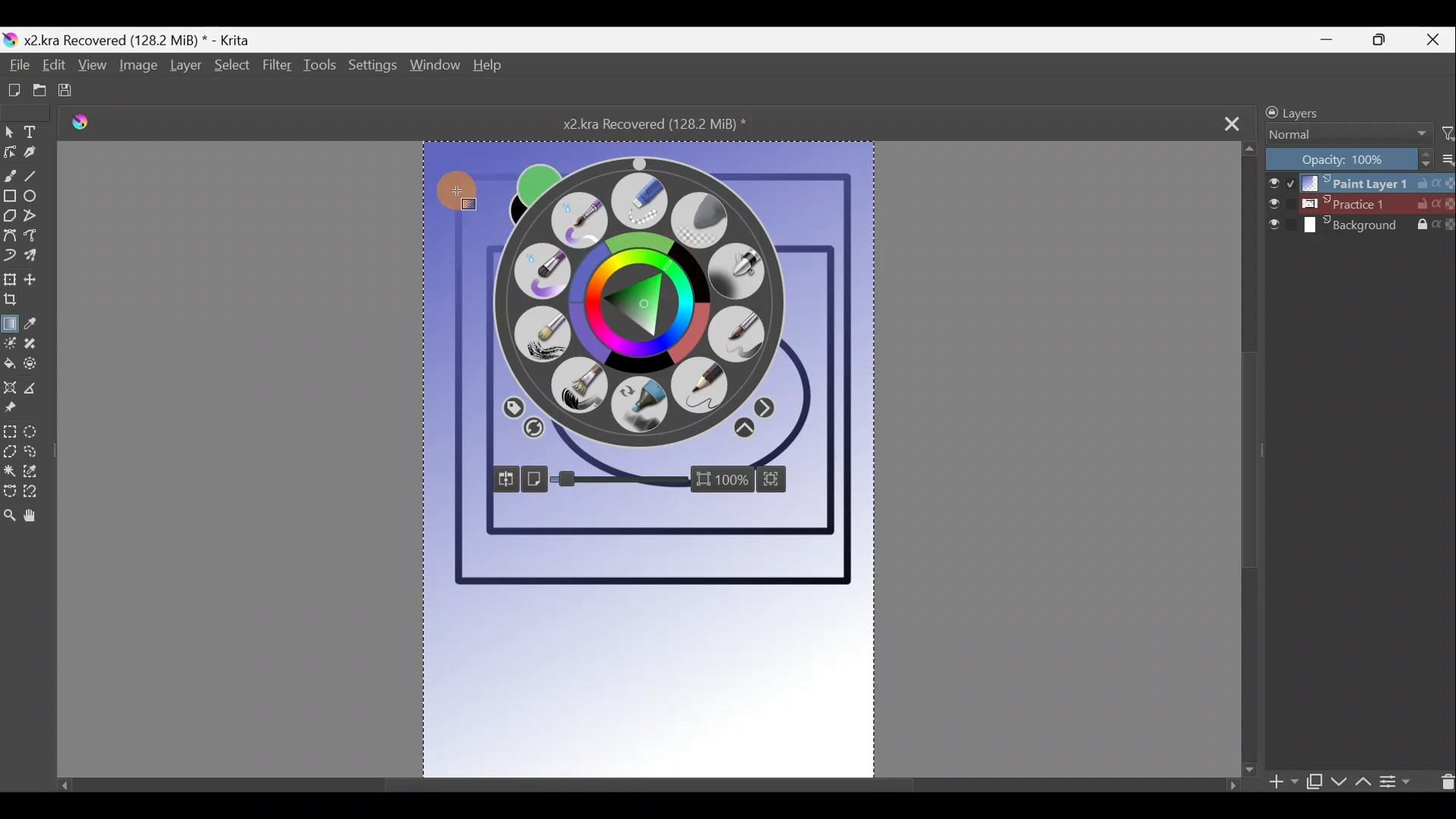 This screenshot has height=819, width=1456. What do you see at coordinates (733, 275) in the screenshot?
I see `Airbrush soft` at bounding box center [733, 275].